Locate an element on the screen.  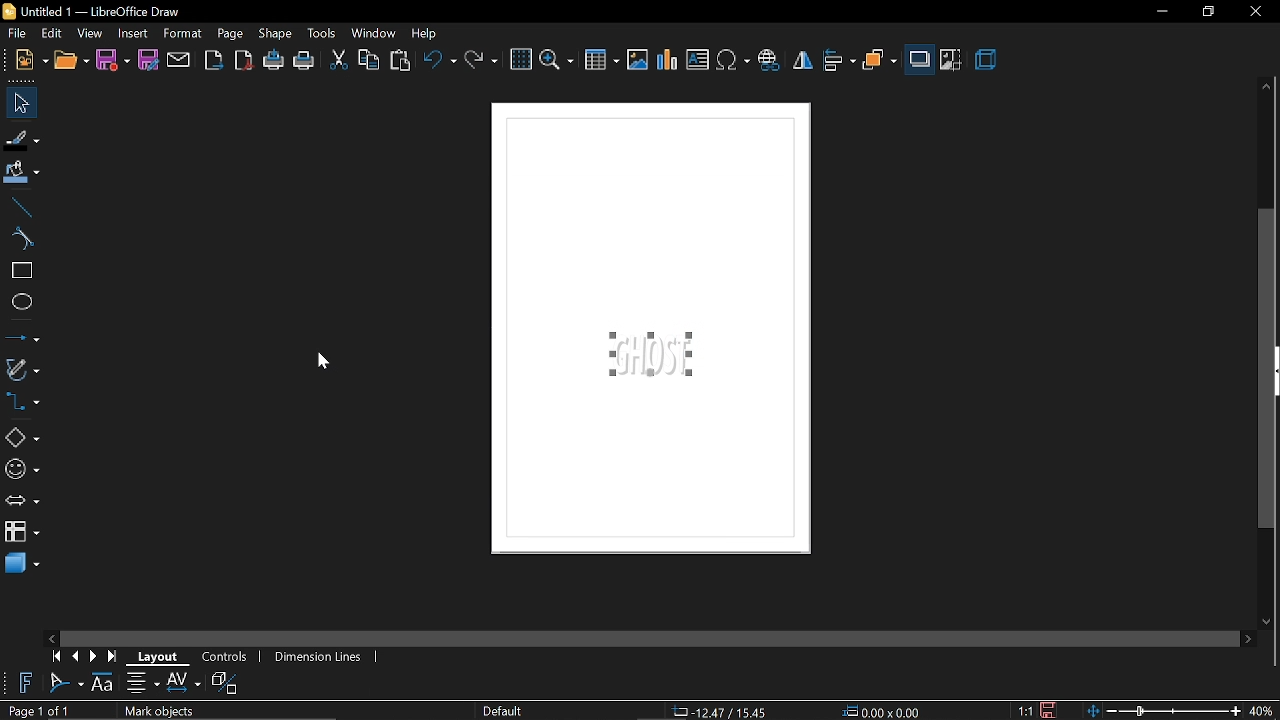
shape is located at coordinates (275, 35).